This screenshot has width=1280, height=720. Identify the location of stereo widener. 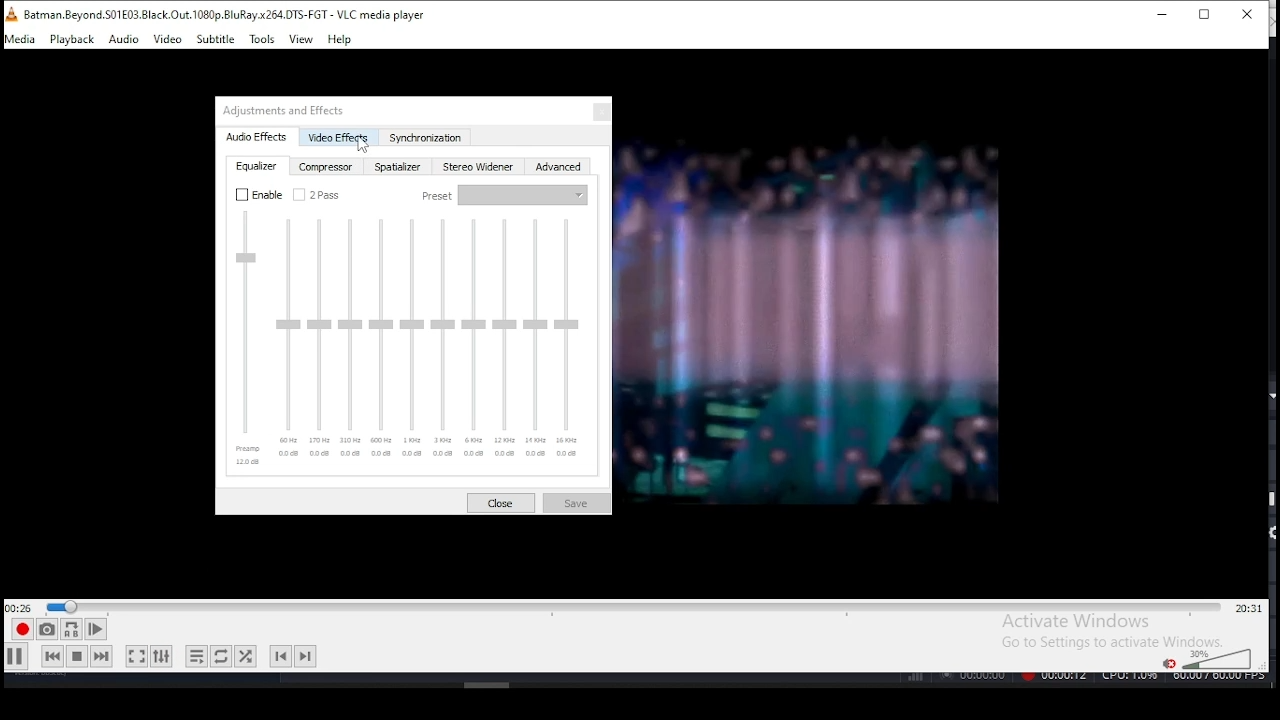
(480, 167).